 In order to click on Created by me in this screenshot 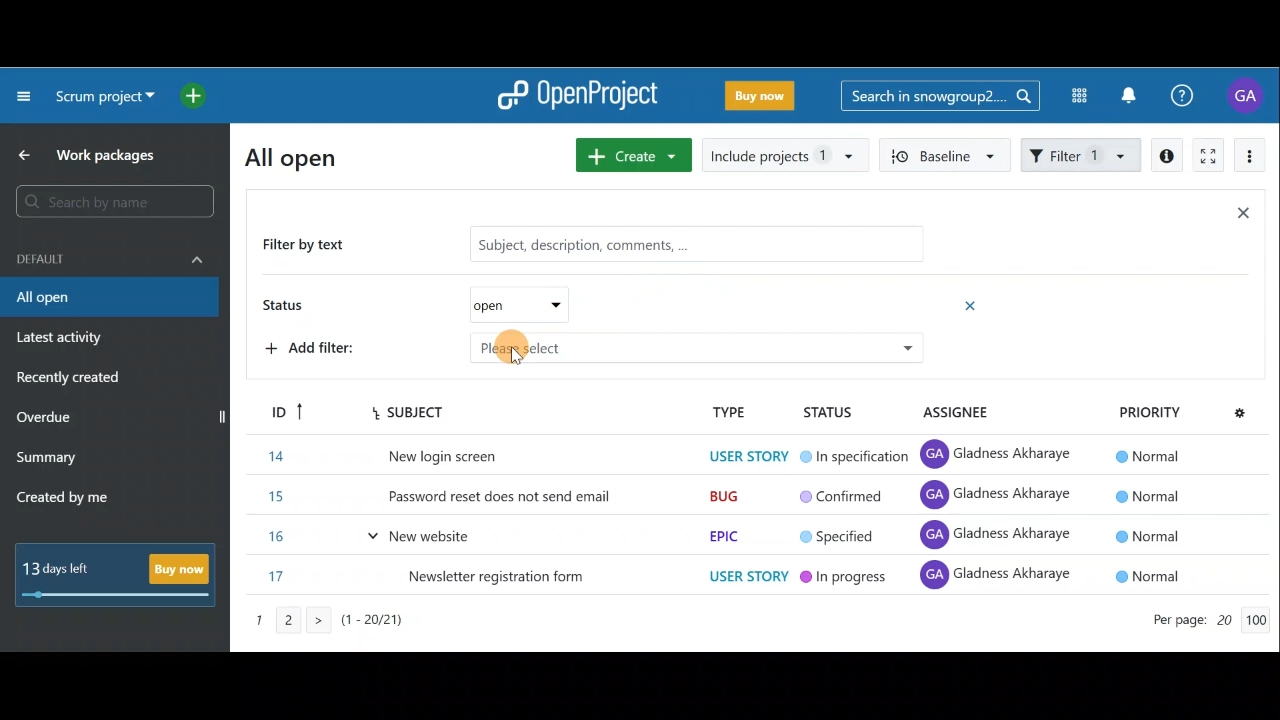, I will do `click(74, 500)`.